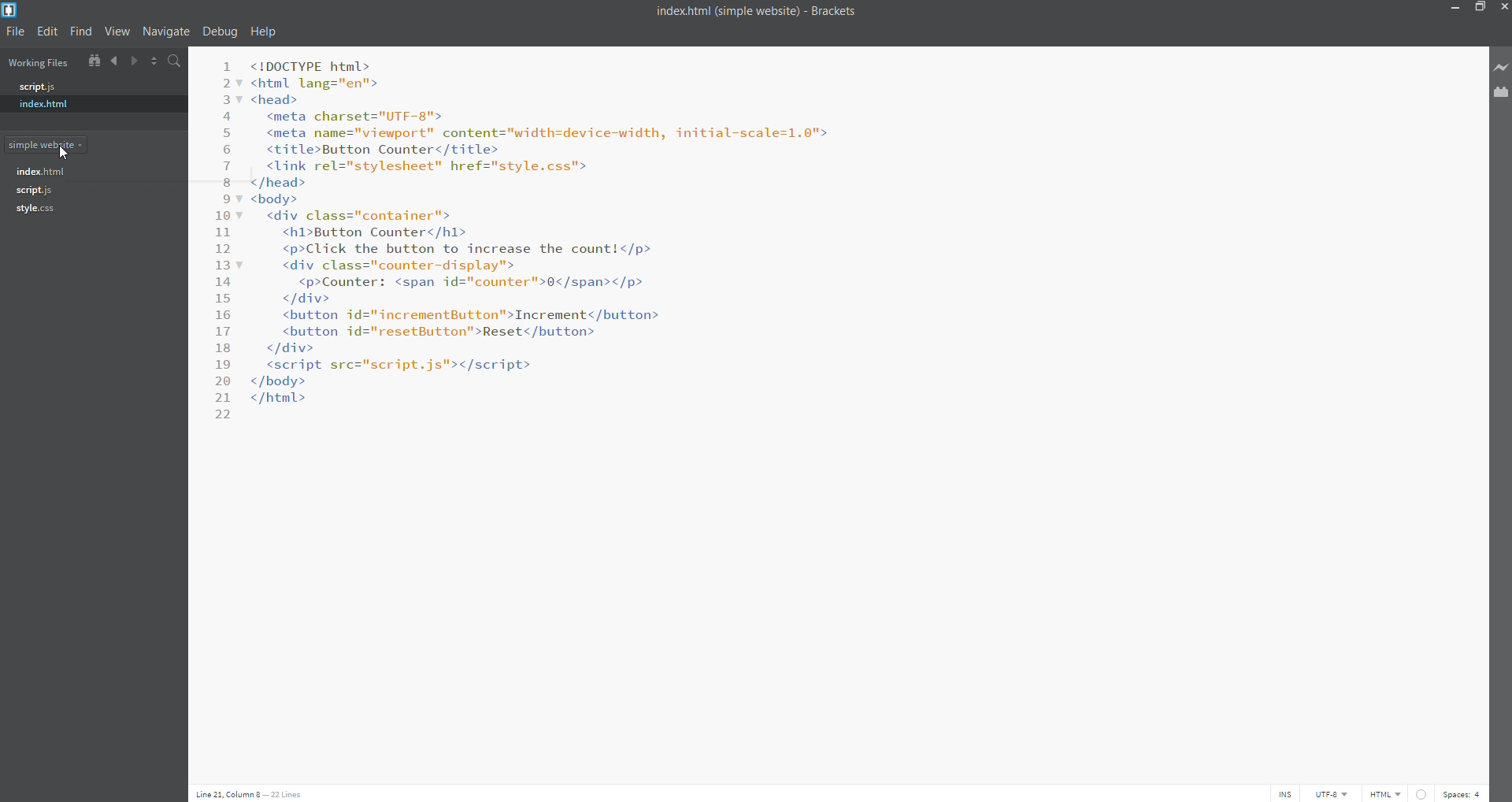  What do you see at coordinates (1285, 793) in the screenshot?
I see `toggle cursor (INS)` at bounding box center [1285, 793].